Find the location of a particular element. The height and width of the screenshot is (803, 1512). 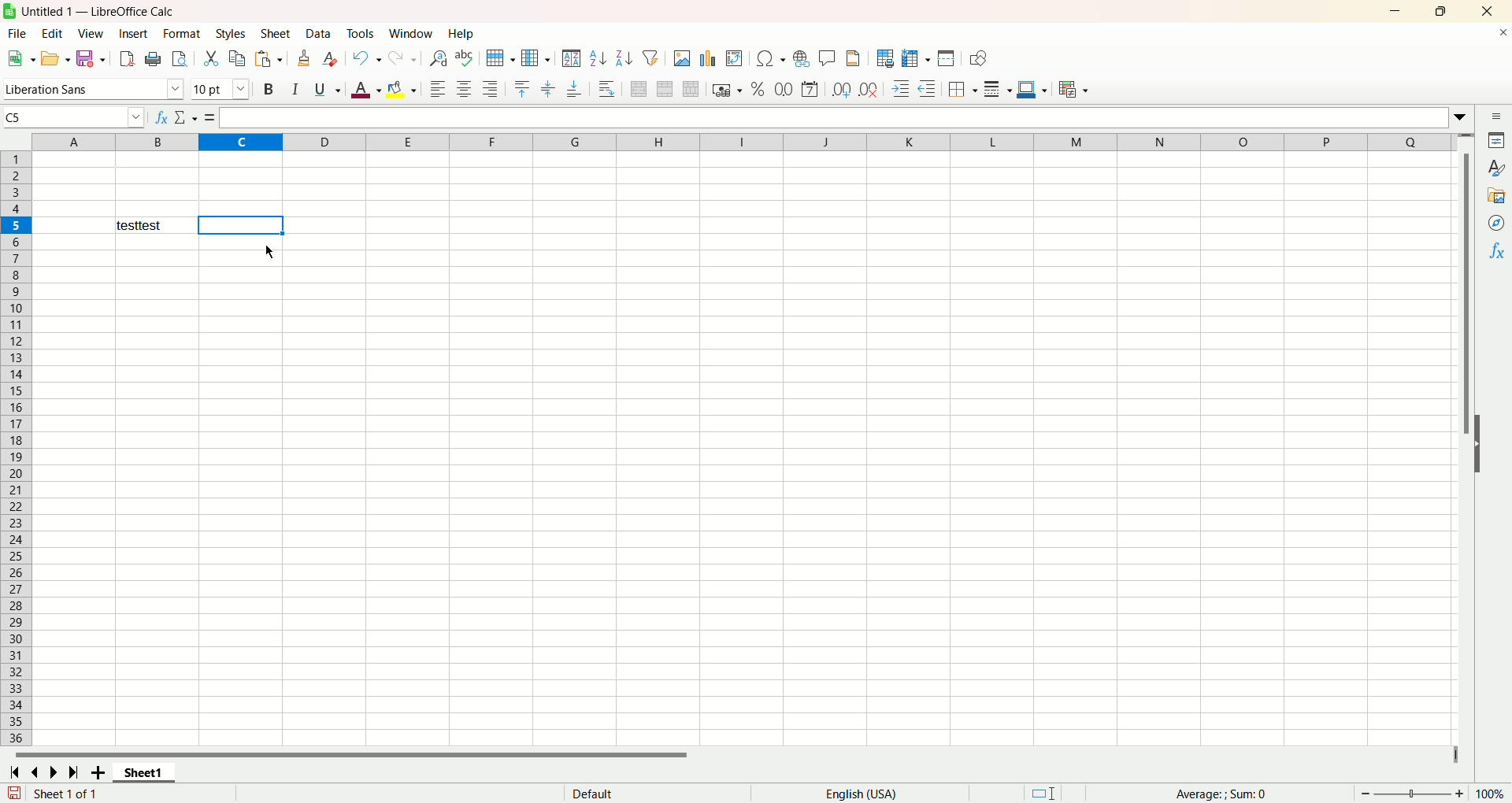

merge and center cells is located at coordinates (636, 89).